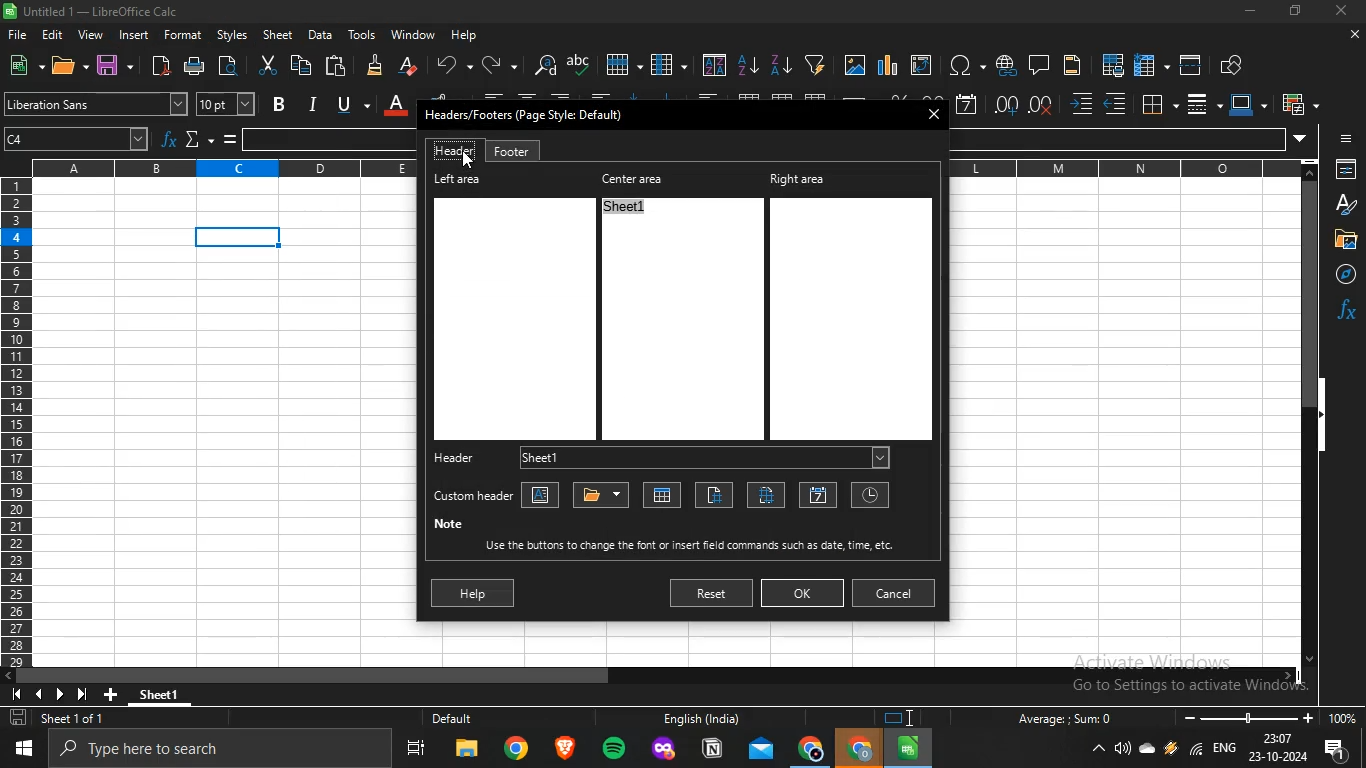 This screenshot has height=768, width=1366. I want to click on scrollbar, so click(1310, 422).